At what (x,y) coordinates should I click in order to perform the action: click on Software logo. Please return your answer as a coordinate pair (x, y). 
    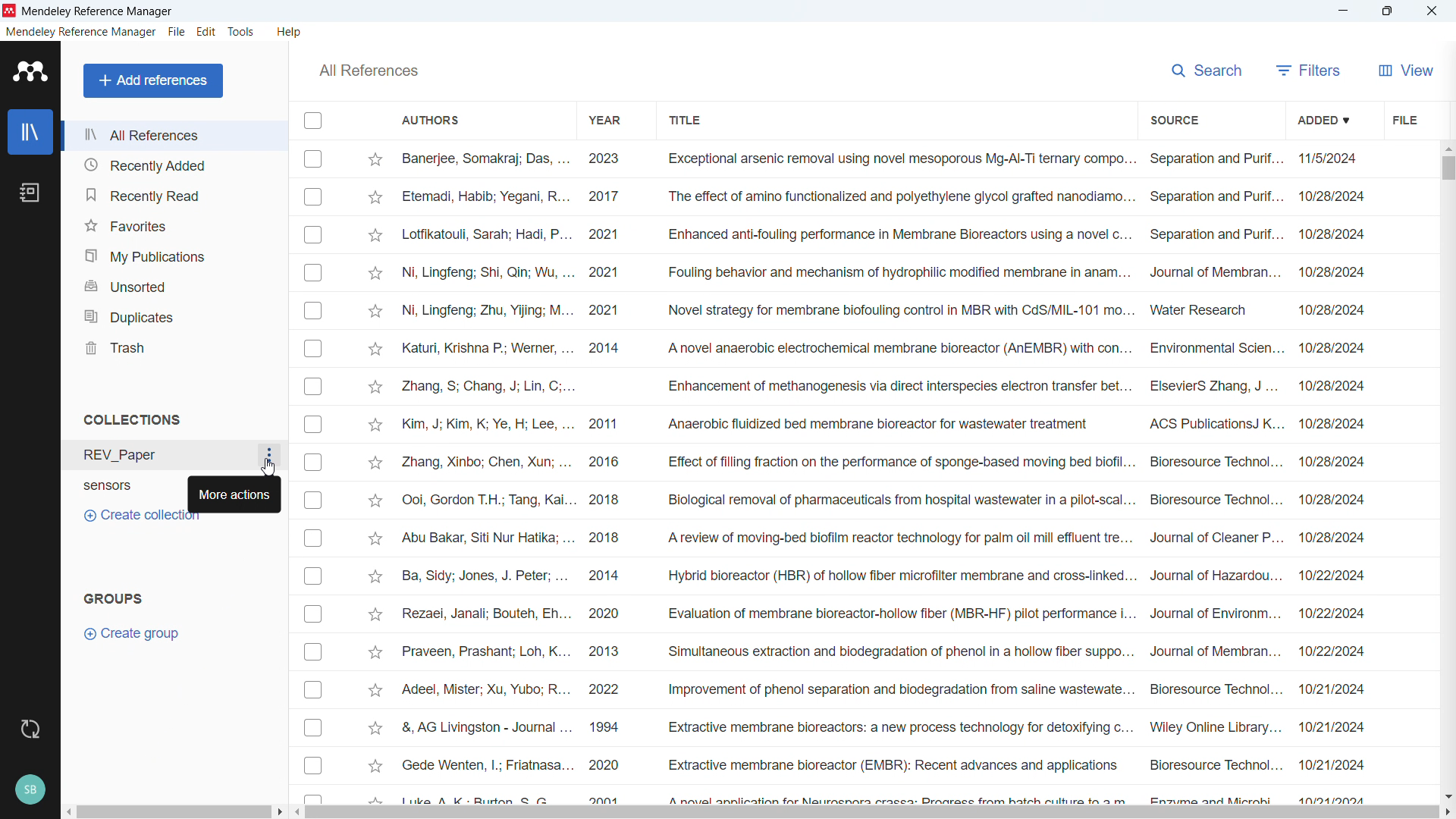
    Looking at the image, I should click on (10, 11).